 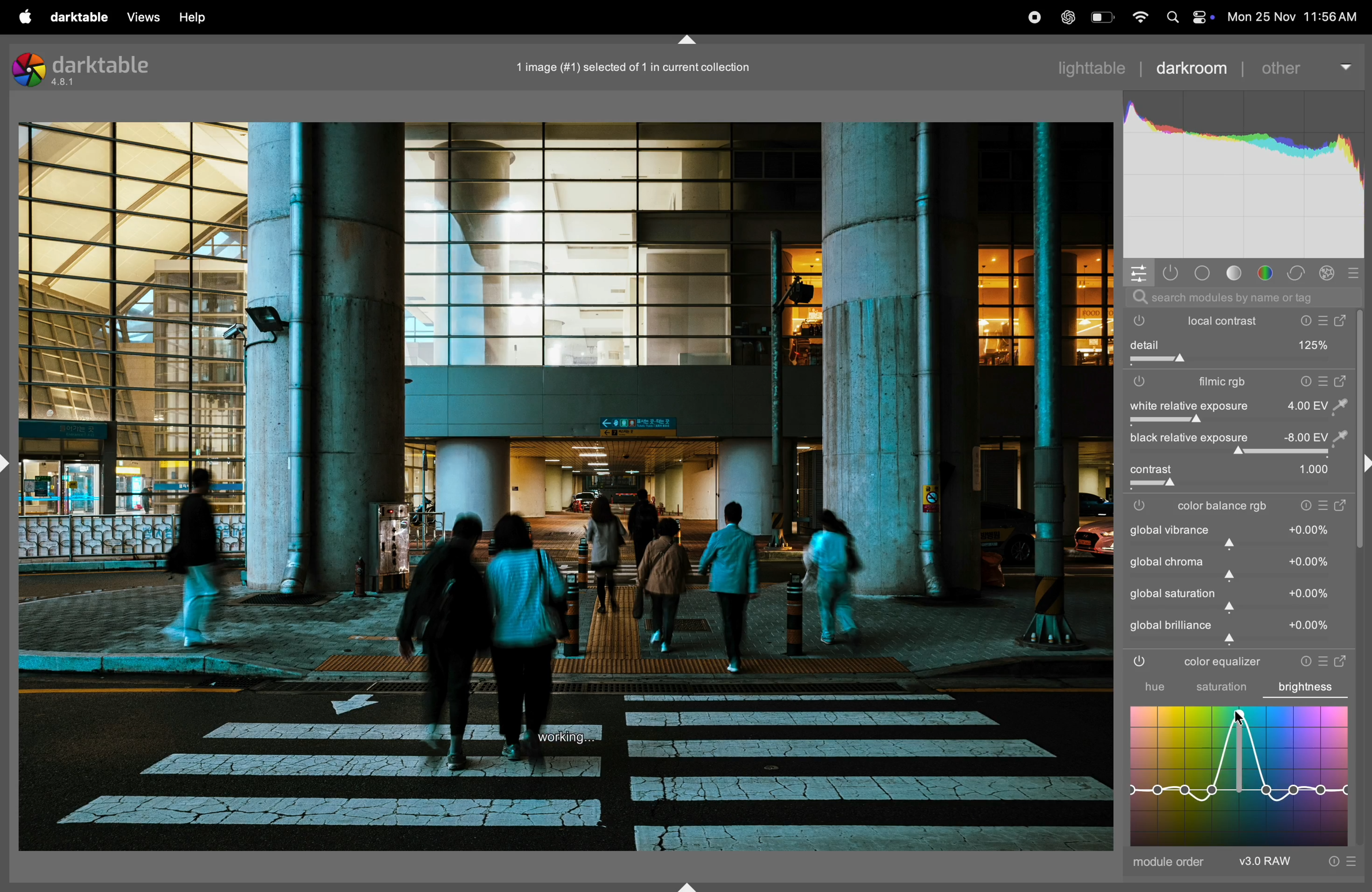 What do you see at coordinates (1343, 381) in the screenshot?
I see `open window` at bounding box center [1343, 381].